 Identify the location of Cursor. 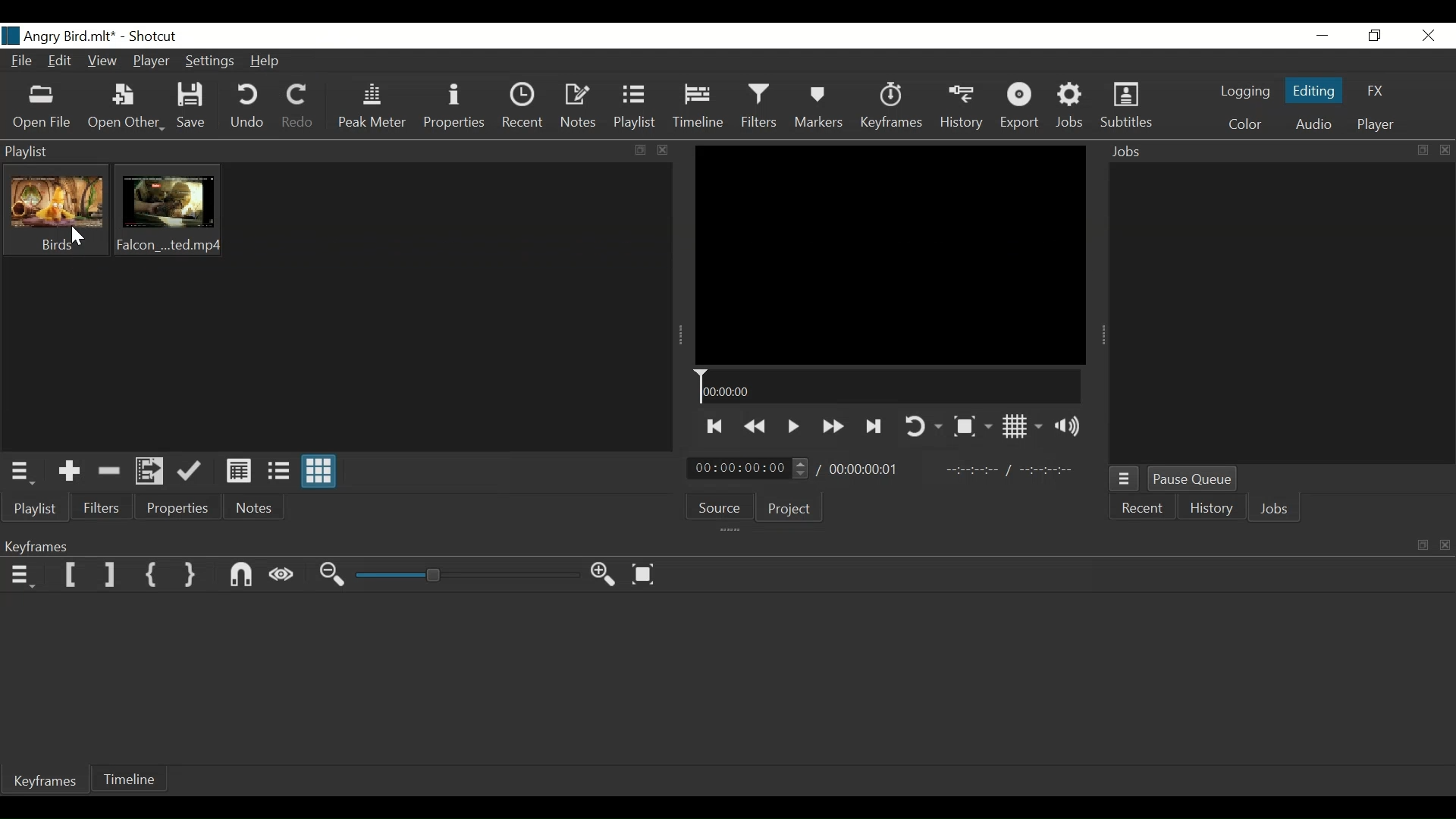
(80, 237).